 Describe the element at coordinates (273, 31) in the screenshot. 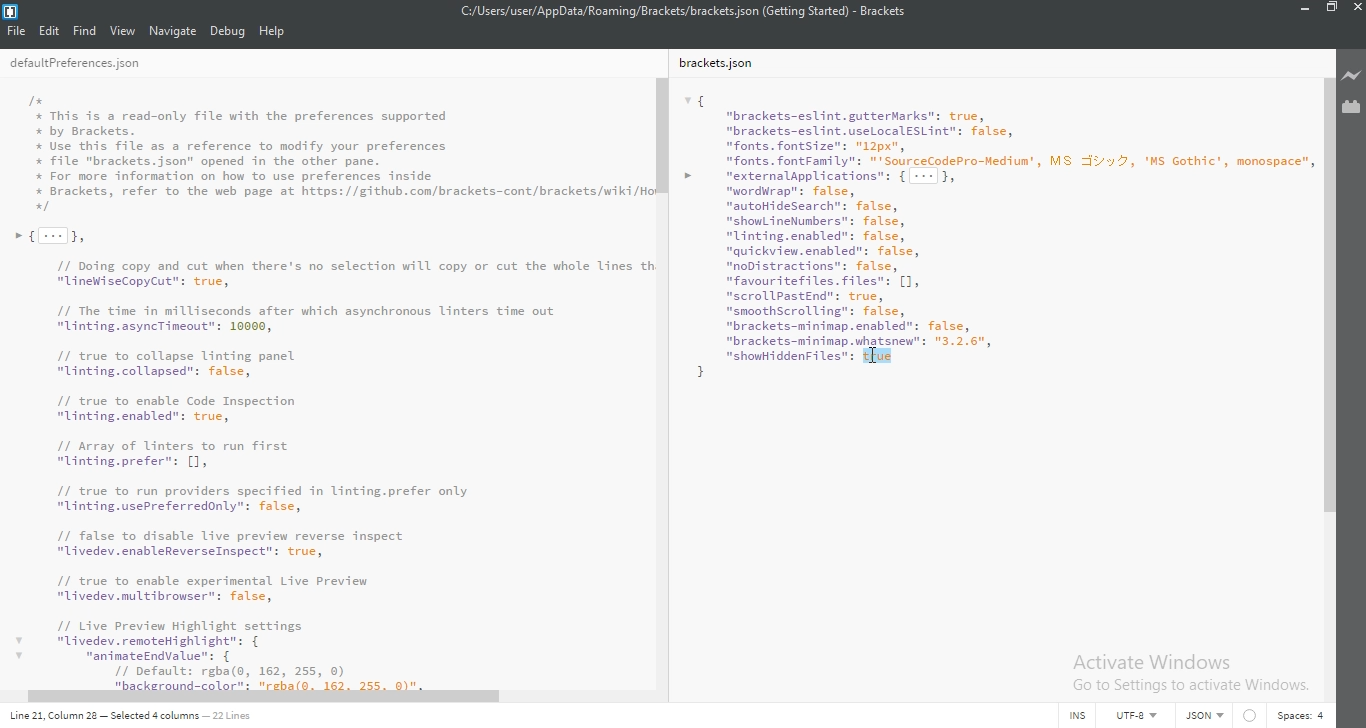

I see `help` at that location.